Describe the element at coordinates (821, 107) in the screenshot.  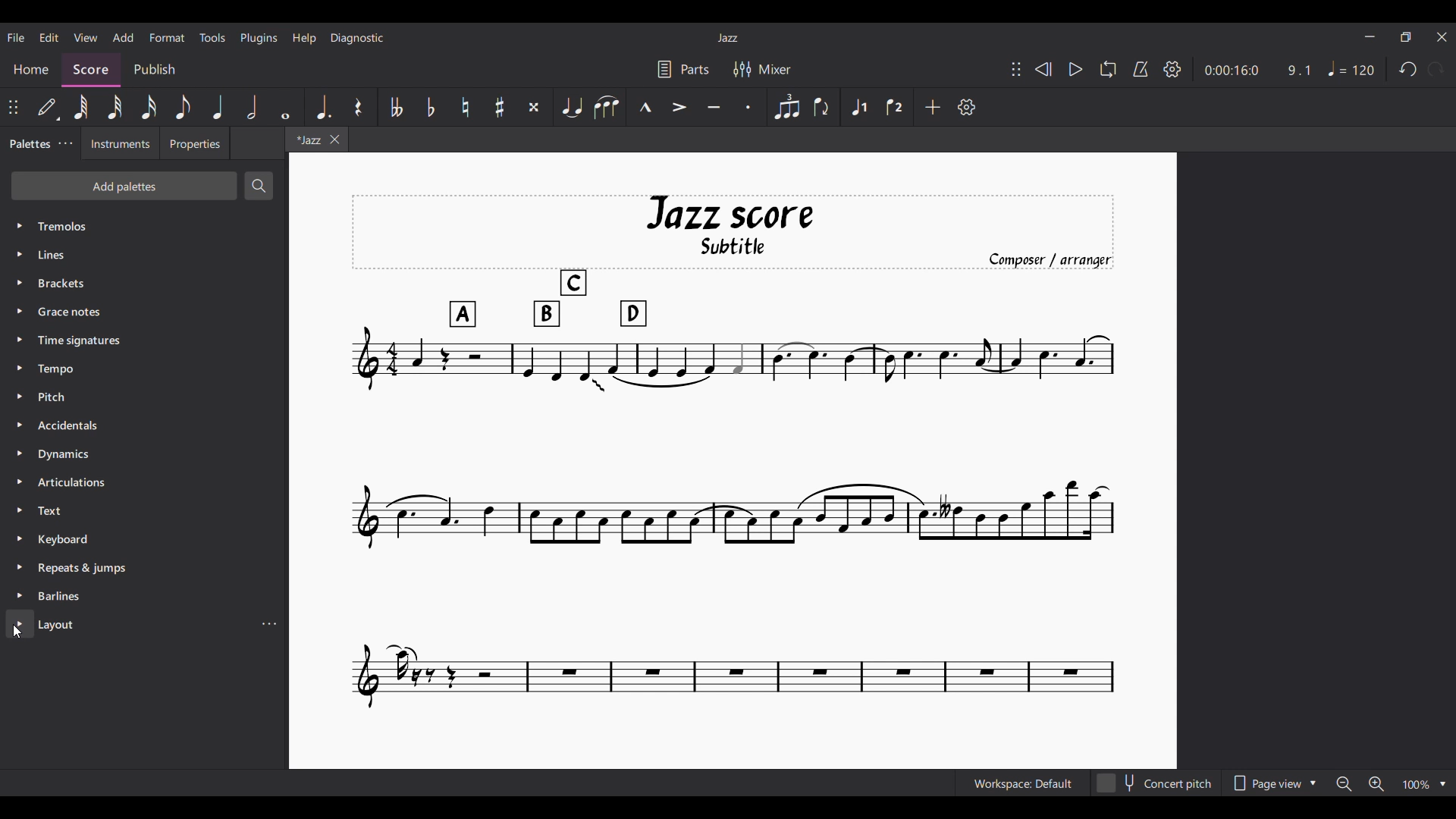
I see `Flip direction` at that location.